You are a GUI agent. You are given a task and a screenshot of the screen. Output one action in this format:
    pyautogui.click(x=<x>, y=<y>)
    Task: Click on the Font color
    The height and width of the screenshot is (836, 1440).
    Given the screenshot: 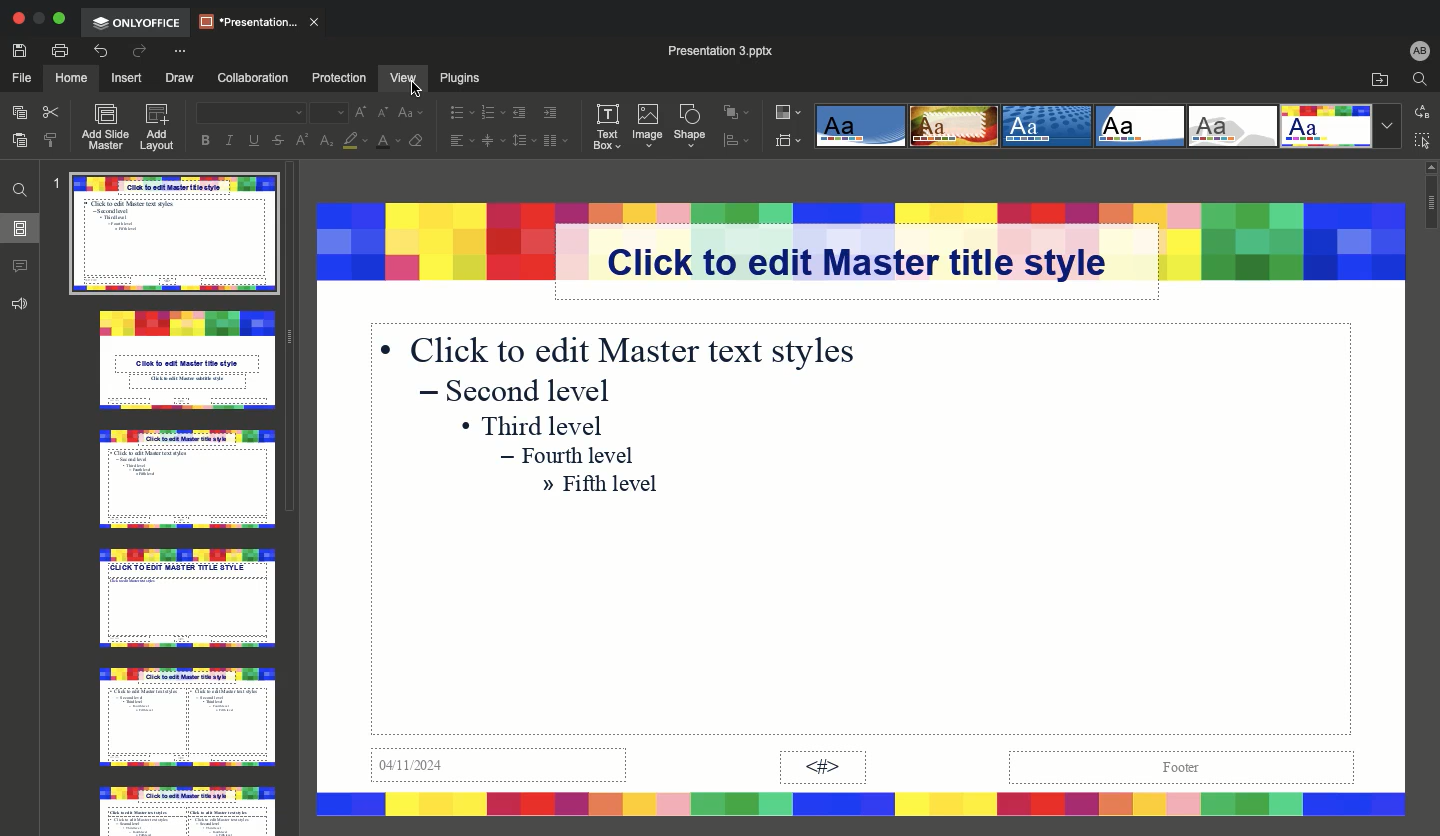 What is the action you would take?
    pyautogui.click(x=385, y=143)
    